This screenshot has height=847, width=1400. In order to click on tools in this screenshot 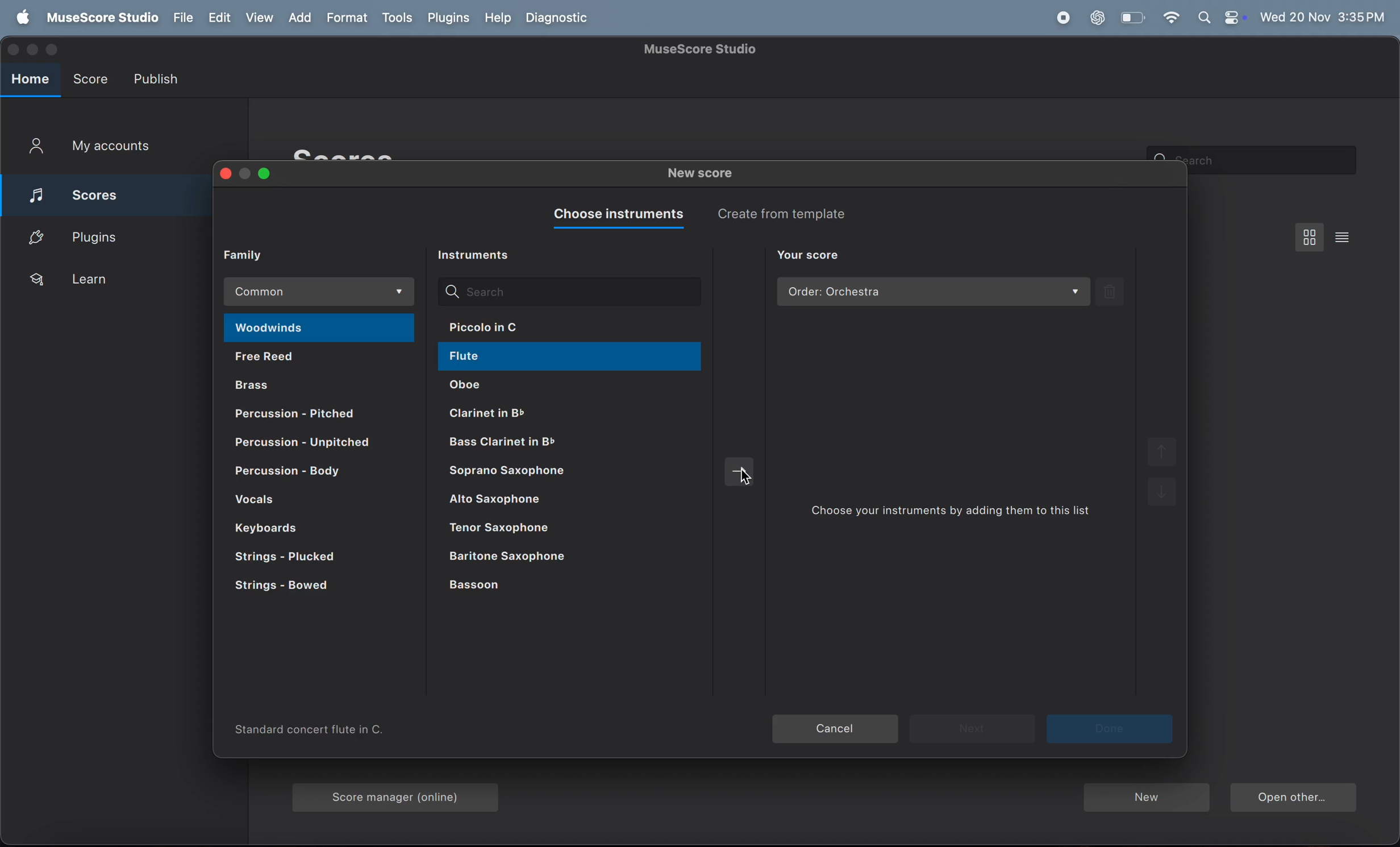, I will do `click(397, 19)`.